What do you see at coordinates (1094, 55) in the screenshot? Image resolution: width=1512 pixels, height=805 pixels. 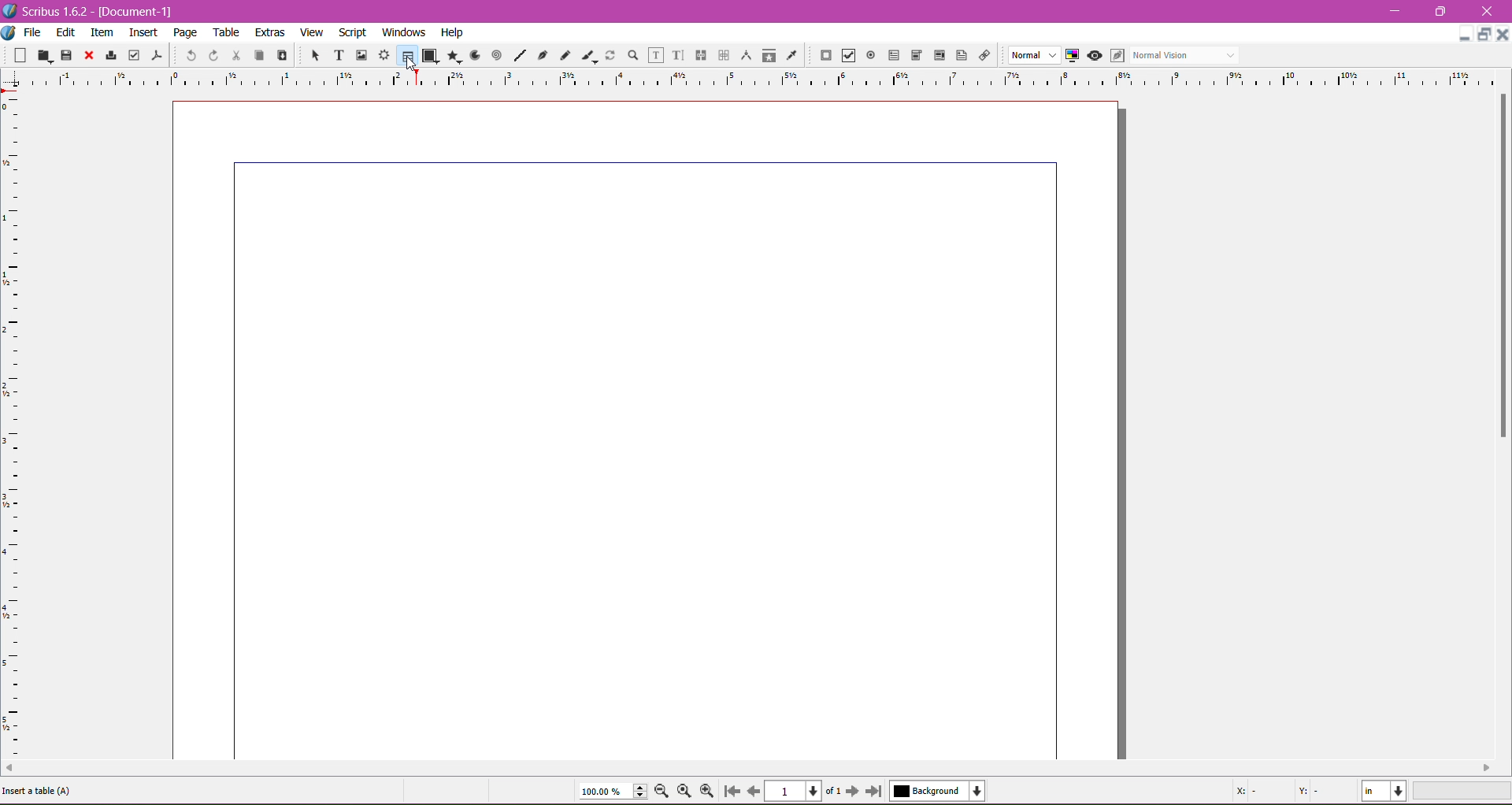 I see `Preview Mode` at bounding box center [1094, 55].